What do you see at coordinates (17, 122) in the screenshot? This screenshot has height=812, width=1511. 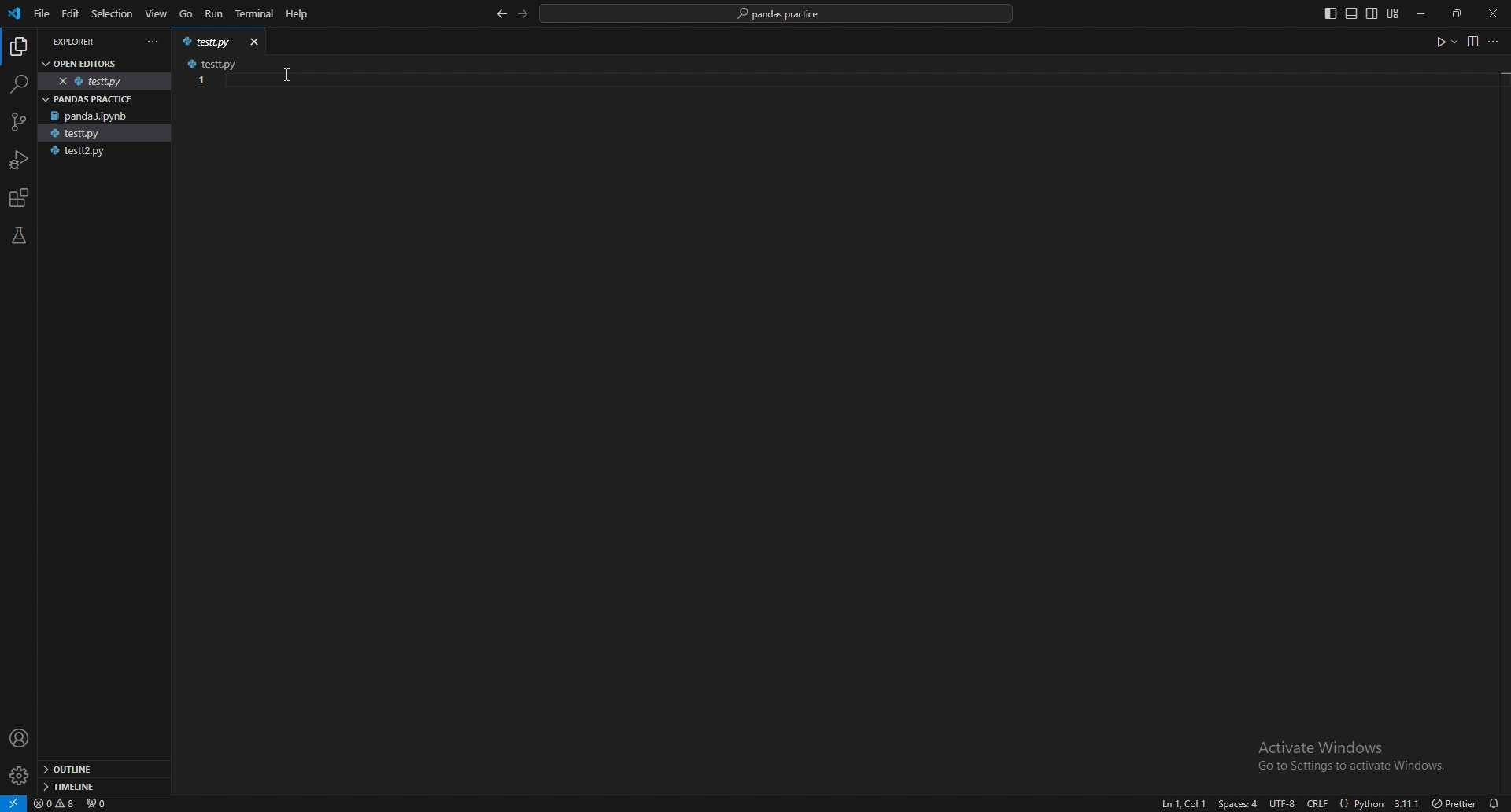 I see `source control` at bounding box center [17, 122].